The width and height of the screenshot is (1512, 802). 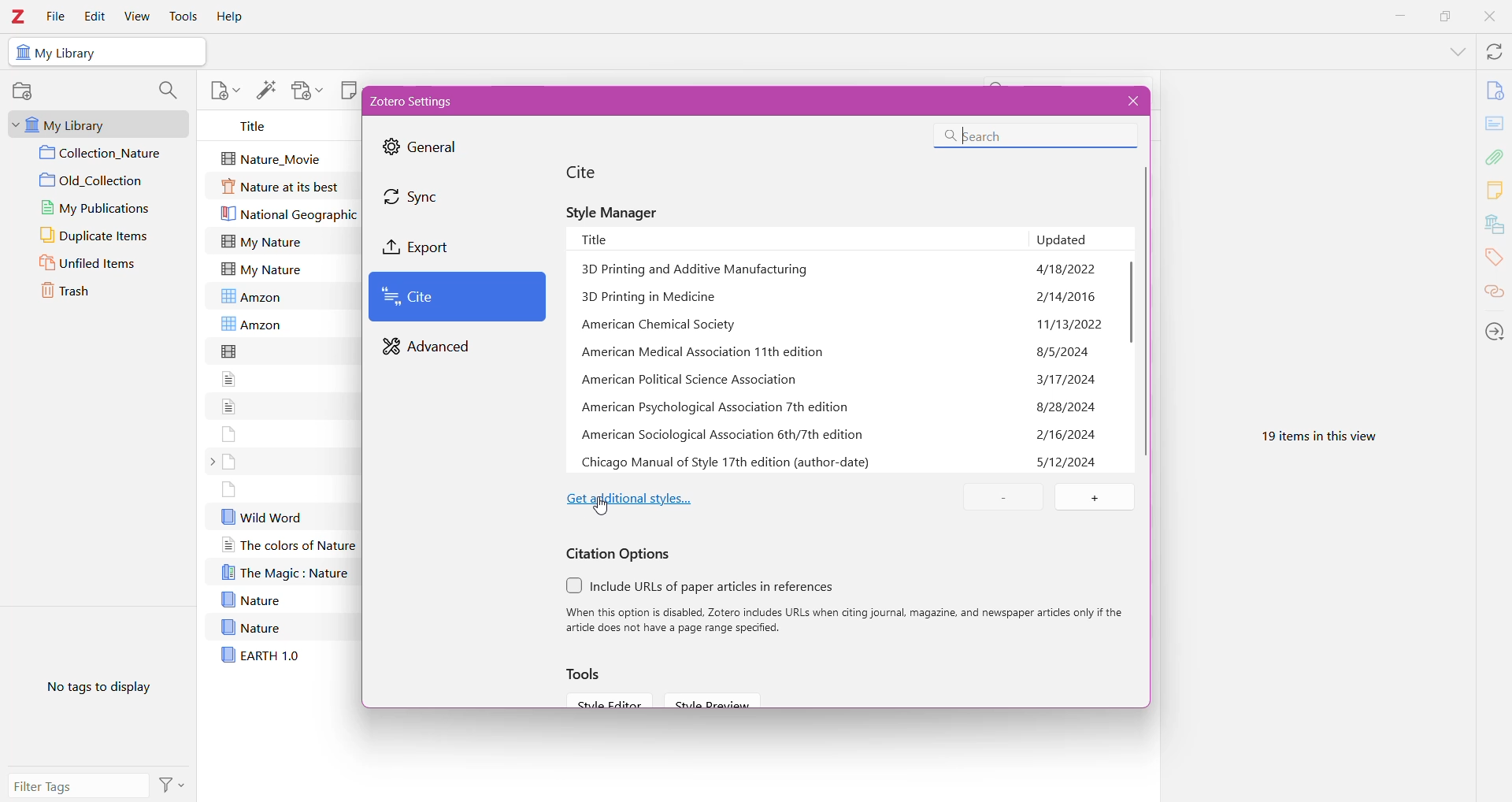 I want to click on No tags to display, so click(x=94, y=691).